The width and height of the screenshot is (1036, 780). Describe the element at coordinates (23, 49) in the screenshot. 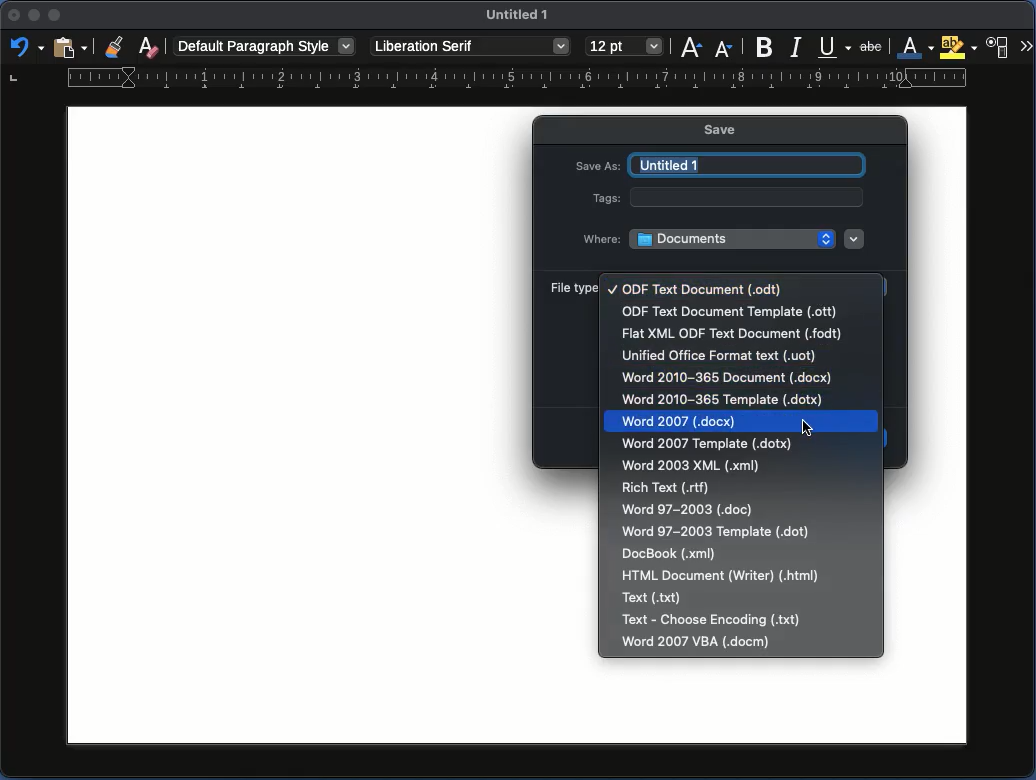

I see `Redo` at that location.